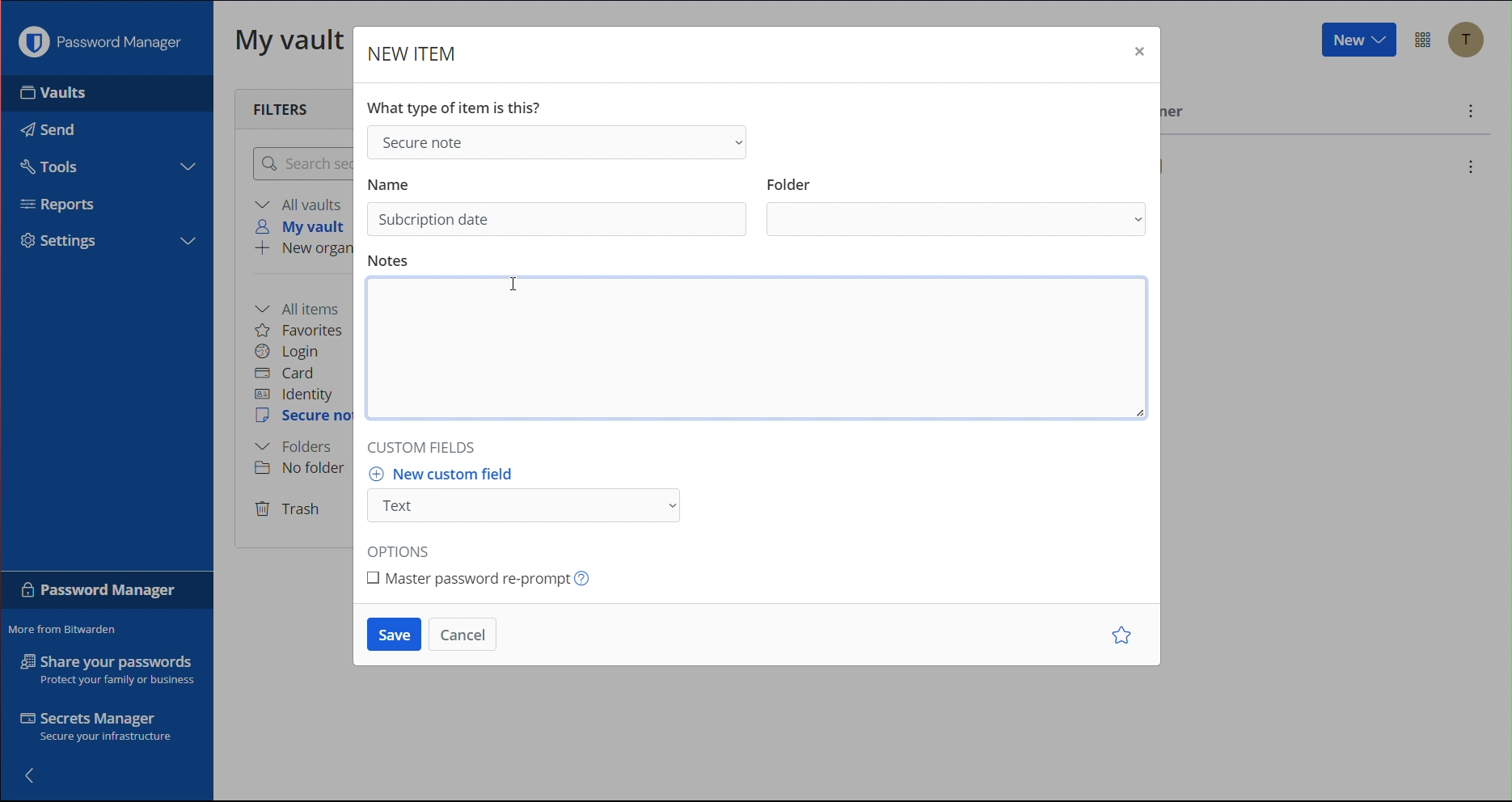 This screenshot has height=802, width=1512. I want to click on Text (dropdown), so click(529, 506).